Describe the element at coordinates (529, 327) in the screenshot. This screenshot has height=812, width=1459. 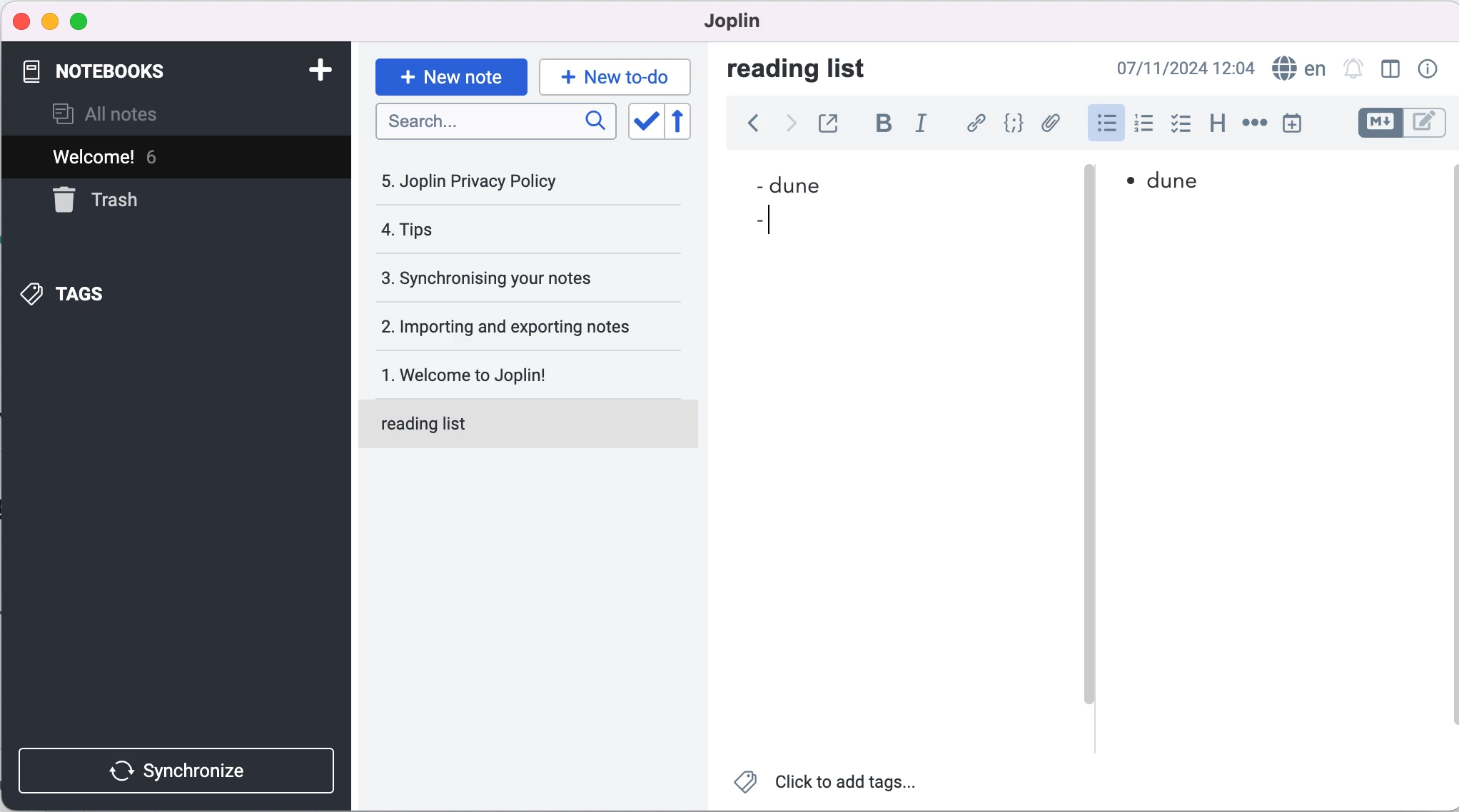
I see `importing and exporting notes` at that location.